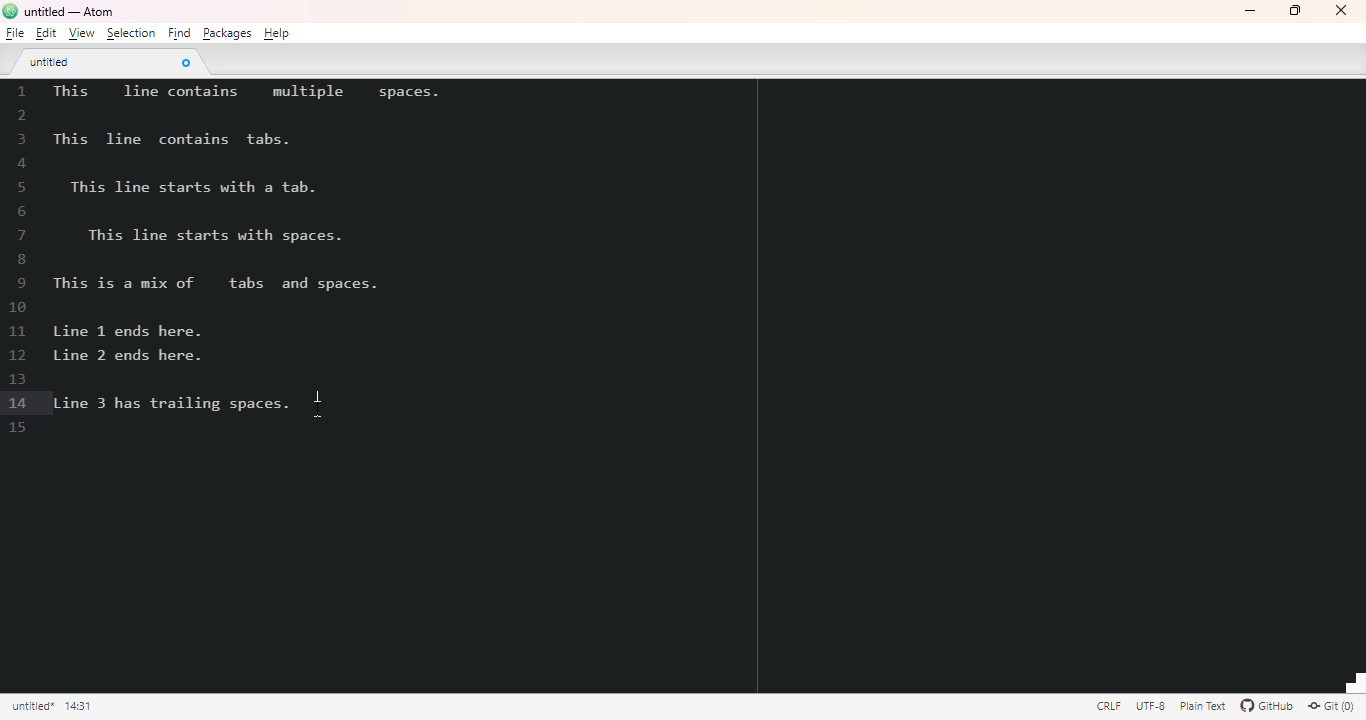 The width and height of the screenshot is (1366, 720). I want to click on title, so click(69, 12).